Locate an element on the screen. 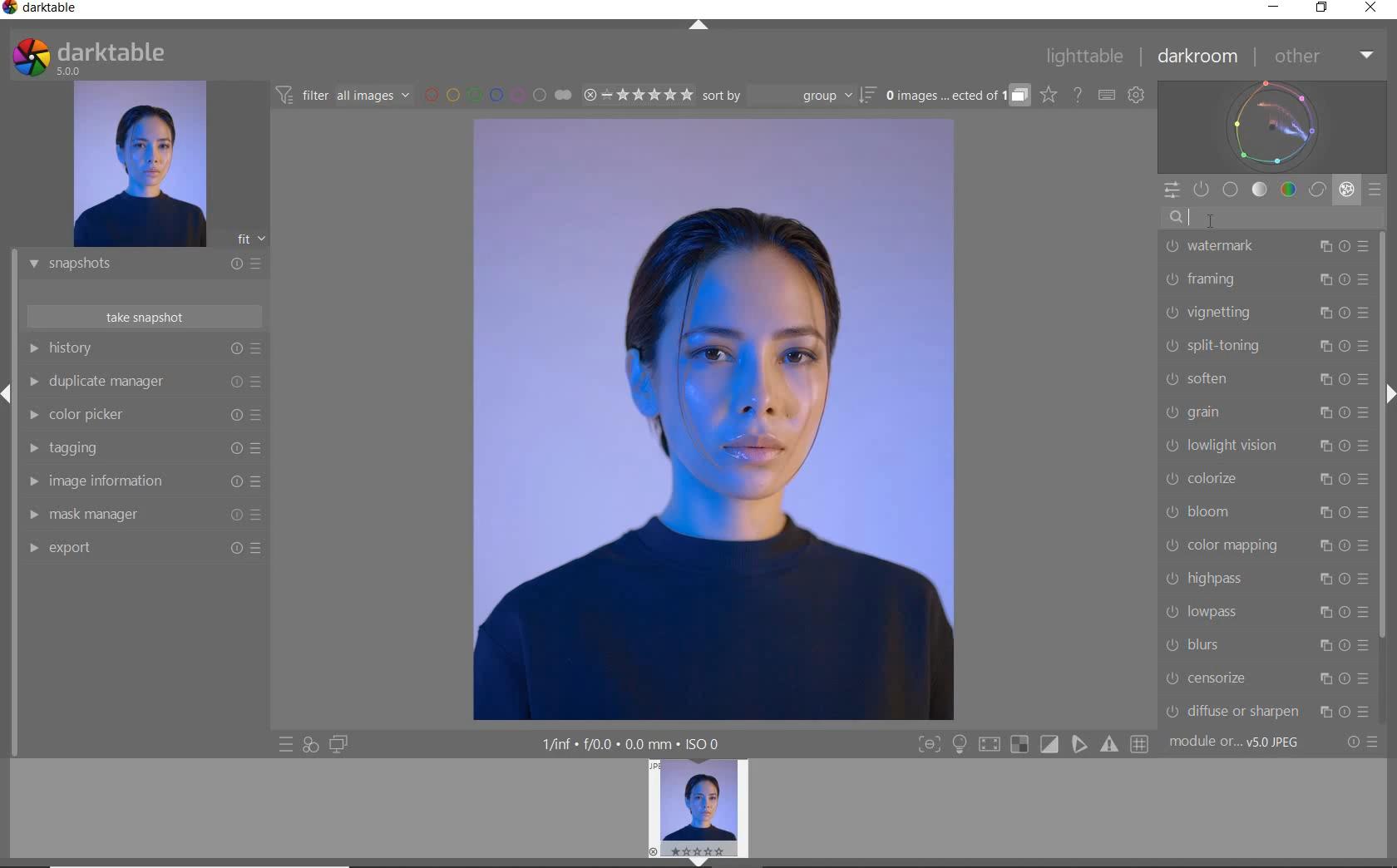 Image resolution: width=1397 pixels, height=868 pixels. Button is located at coordinates (1111, 744).